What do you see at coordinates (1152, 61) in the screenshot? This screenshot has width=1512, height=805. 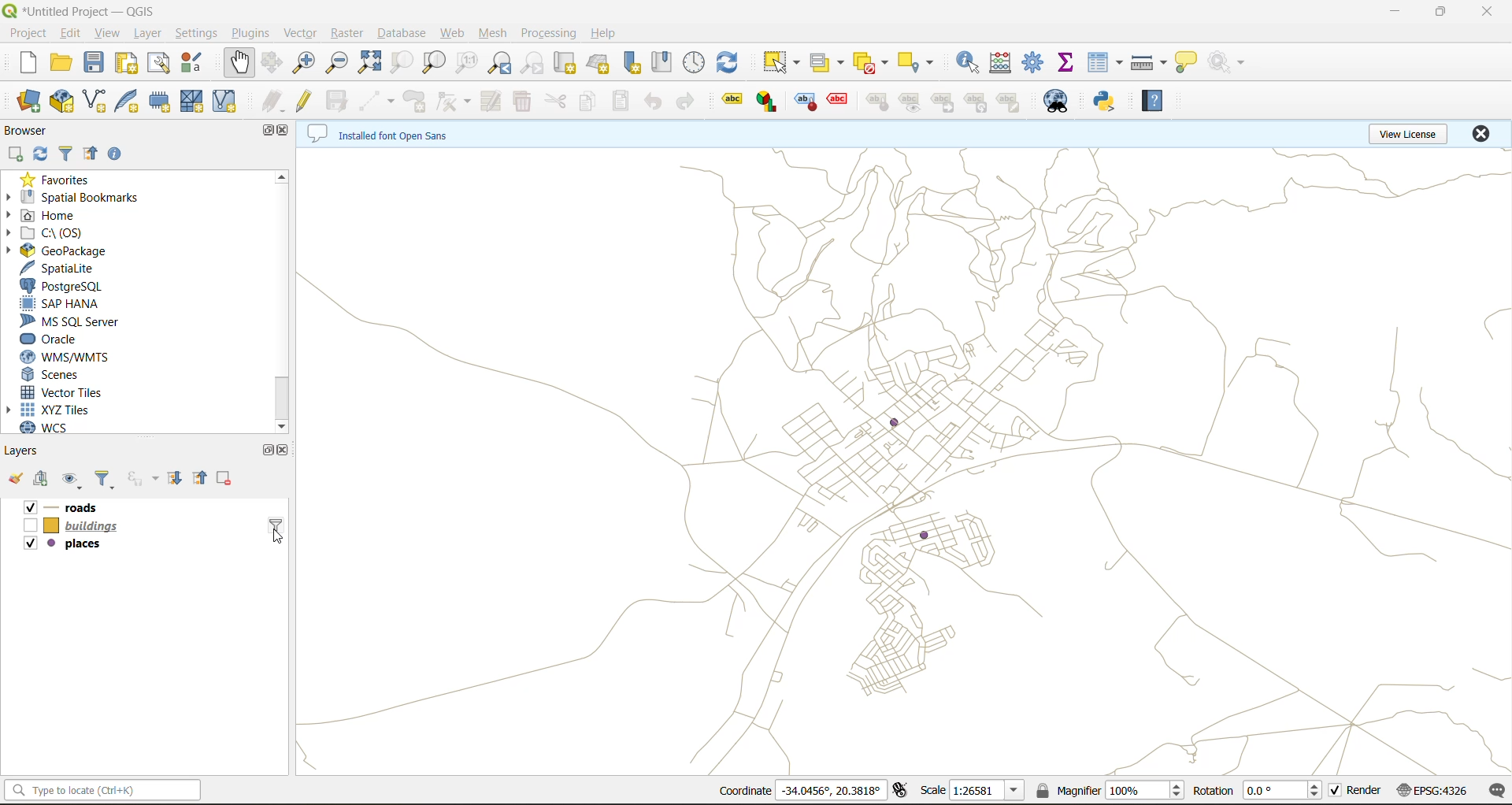 I see `measure line` at bounding box center [1152, 61].